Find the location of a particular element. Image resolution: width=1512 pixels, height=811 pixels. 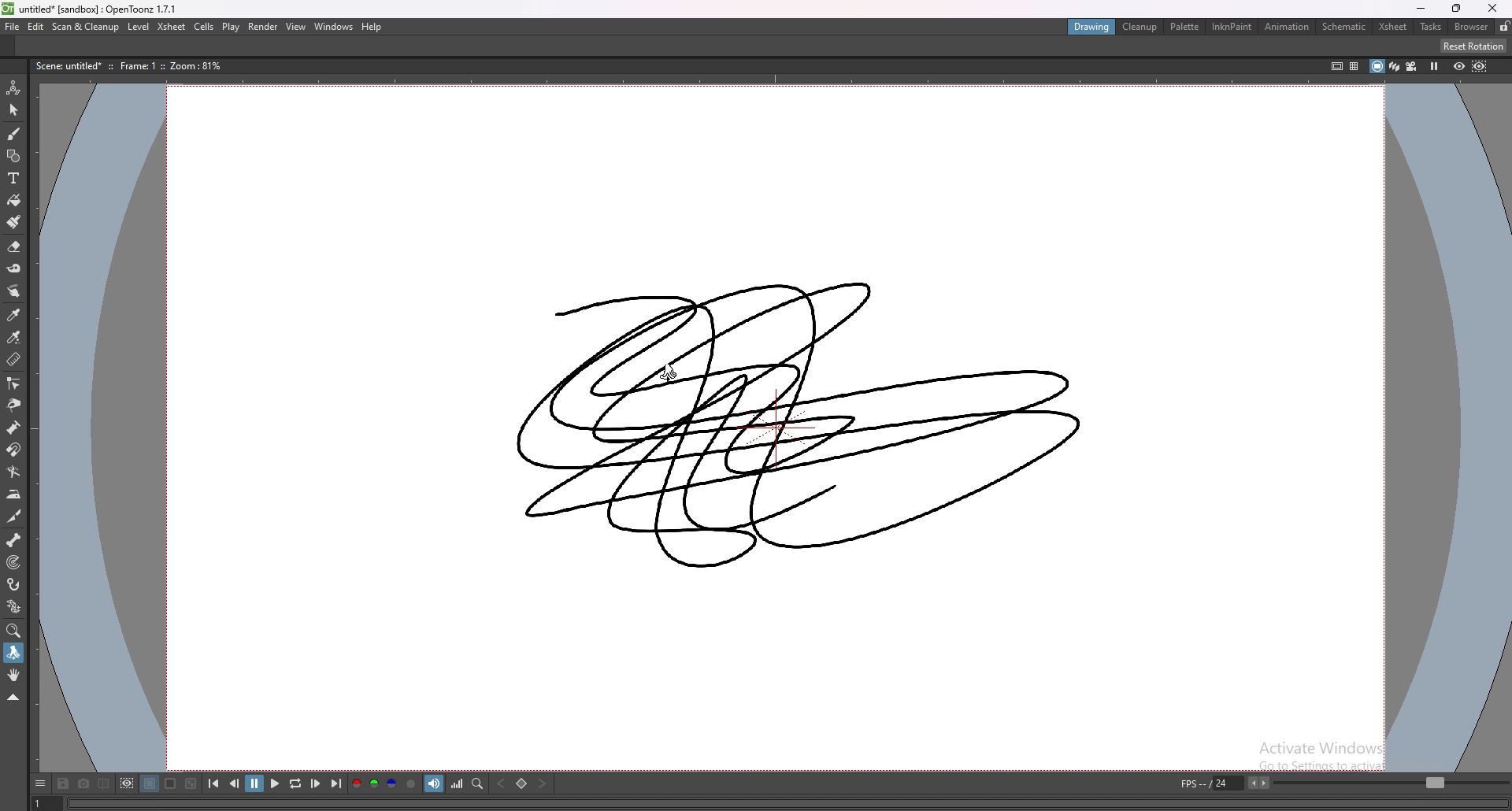

fill brush tool is located at coordinates (14, 221).